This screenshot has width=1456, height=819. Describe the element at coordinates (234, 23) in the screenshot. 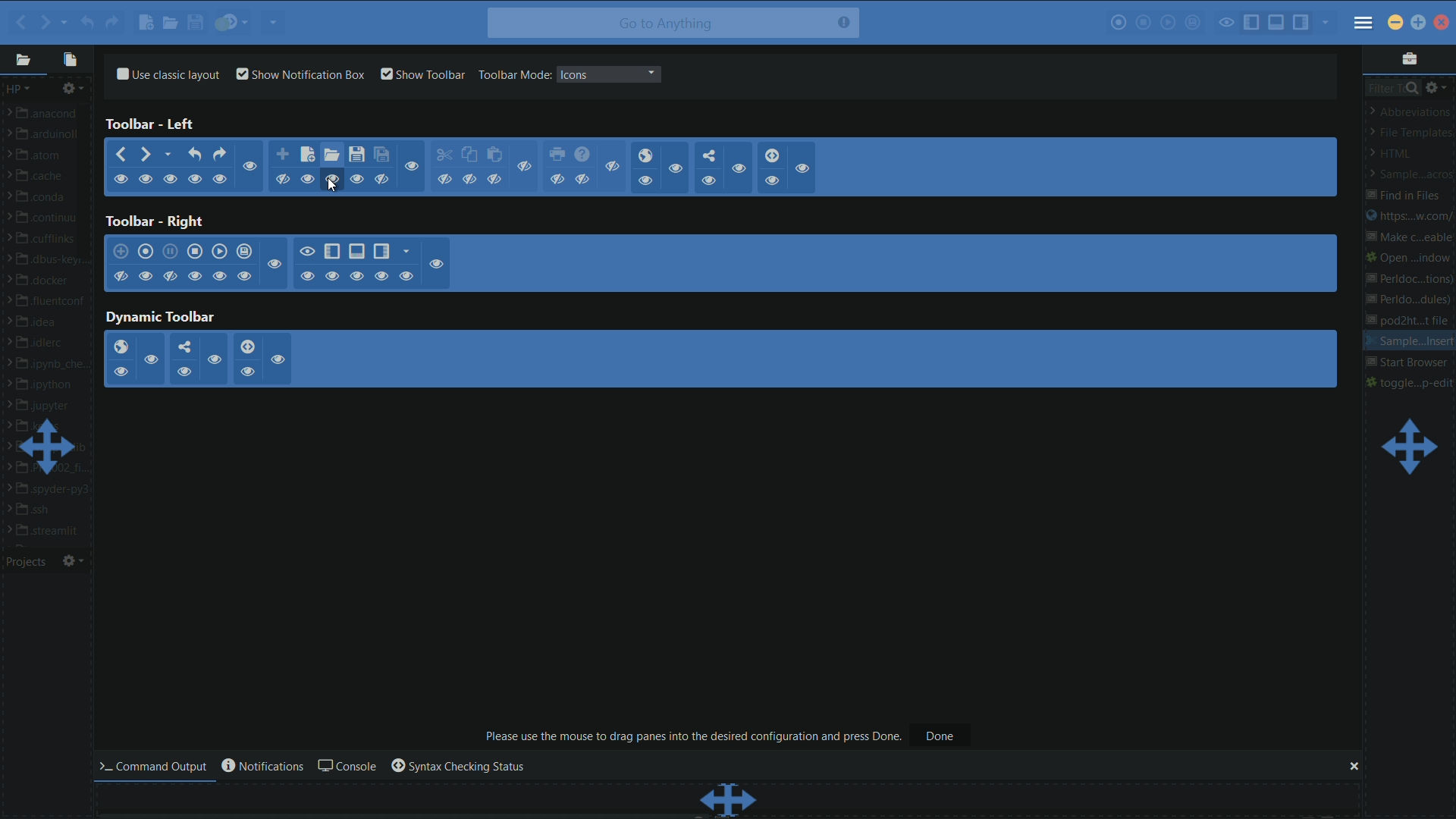

I see `jump to next syntax checking result` at that location.